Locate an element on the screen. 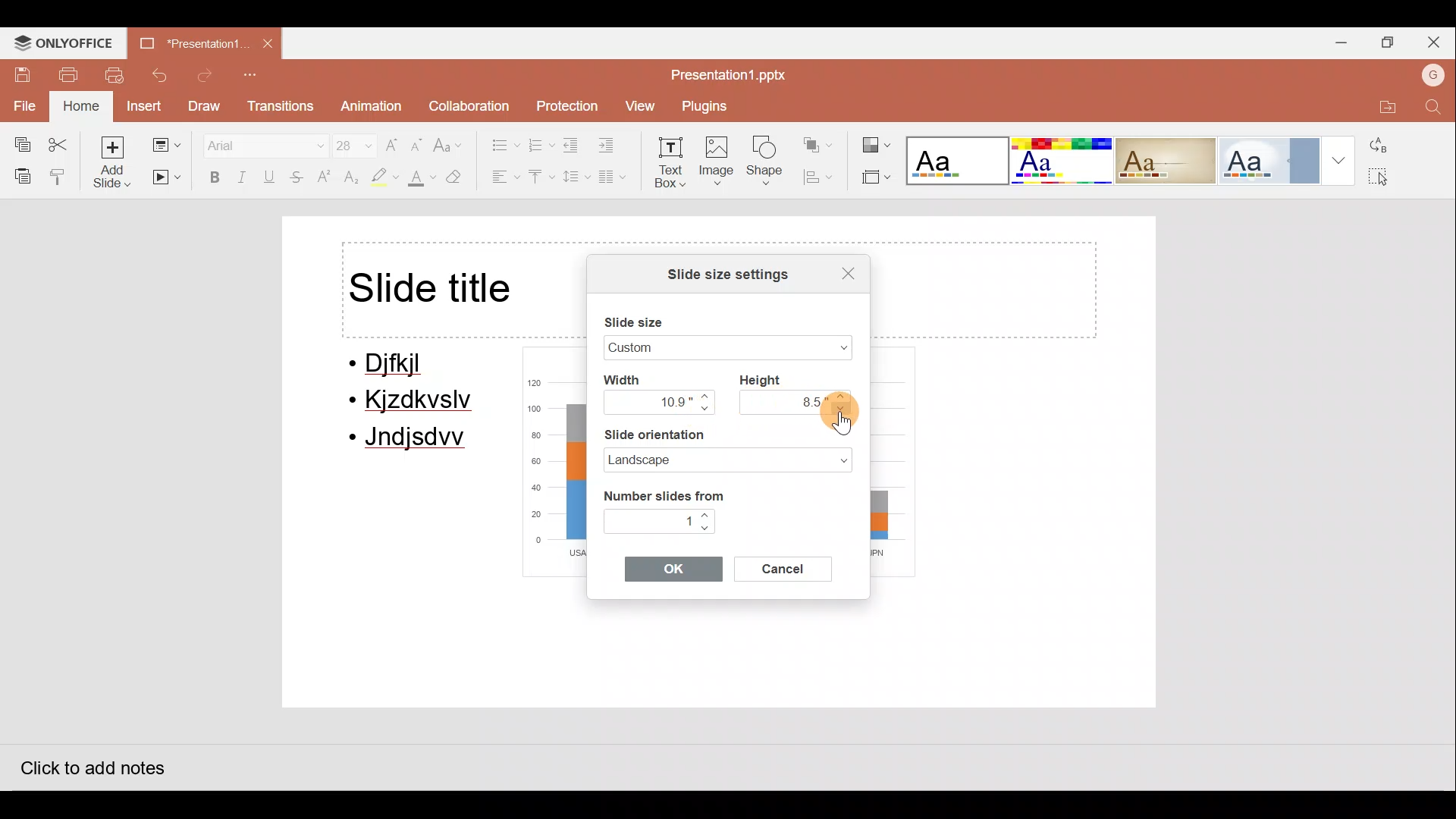 This screenshot has width=1456, height=819. Slide orientation is located at coordinates (698, 435).